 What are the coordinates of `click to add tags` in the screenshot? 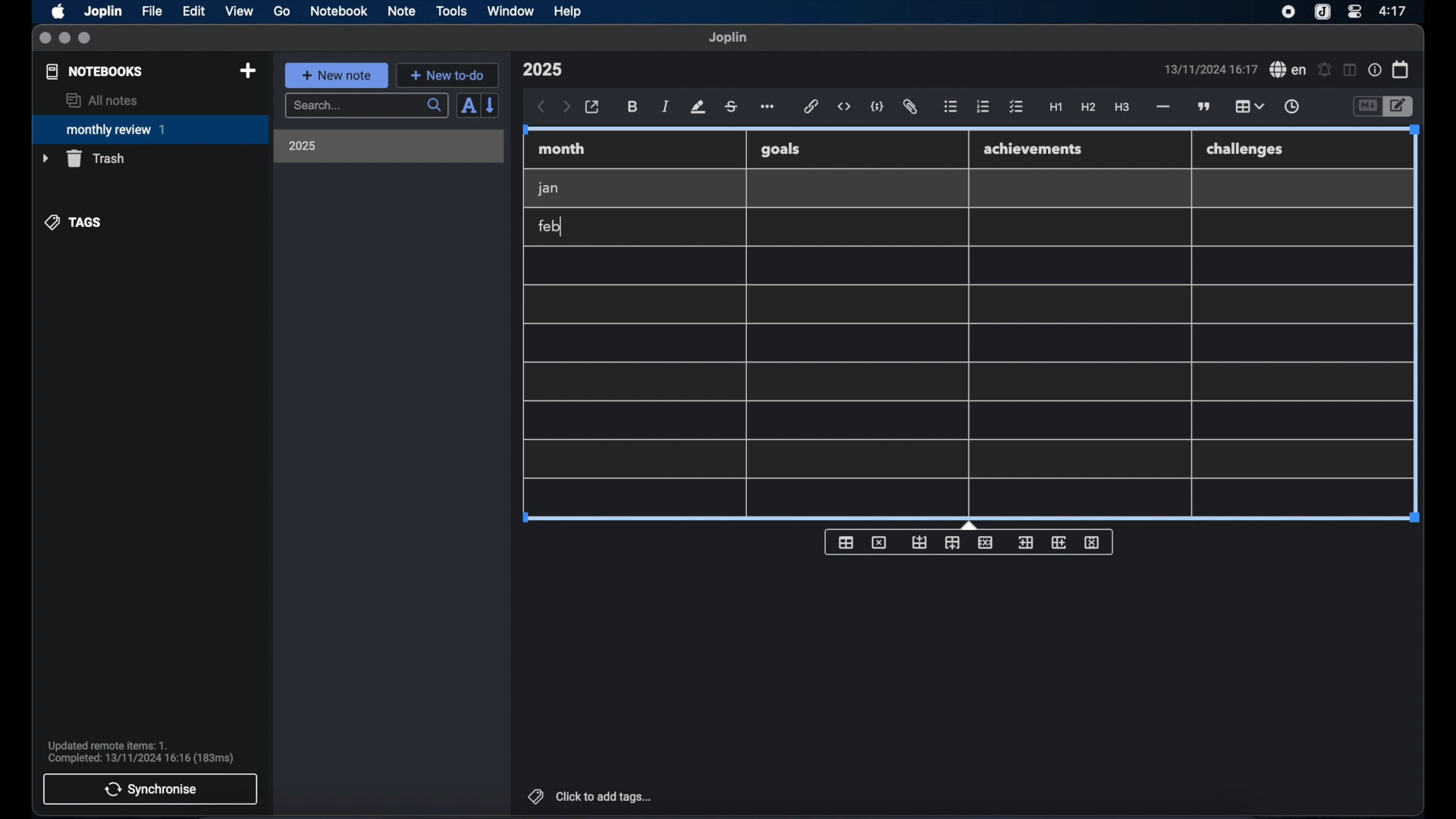 It's located at (591, 796).